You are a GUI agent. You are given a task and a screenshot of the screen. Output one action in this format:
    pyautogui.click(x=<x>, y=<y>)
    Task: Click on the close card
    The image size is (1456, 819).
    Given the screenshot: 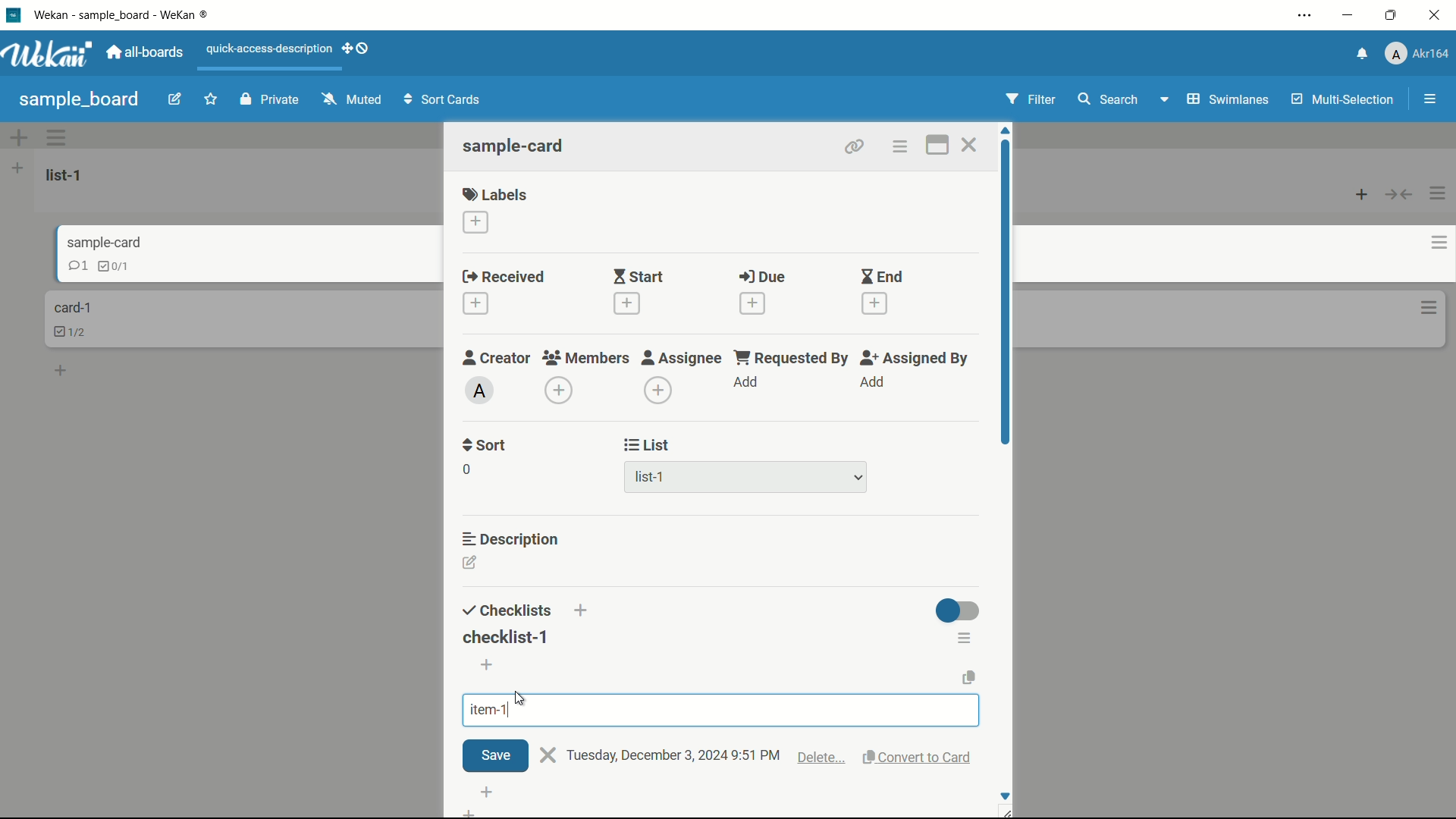 What is the action you would take?
    pyautogui.click(x=970, y=144)
    